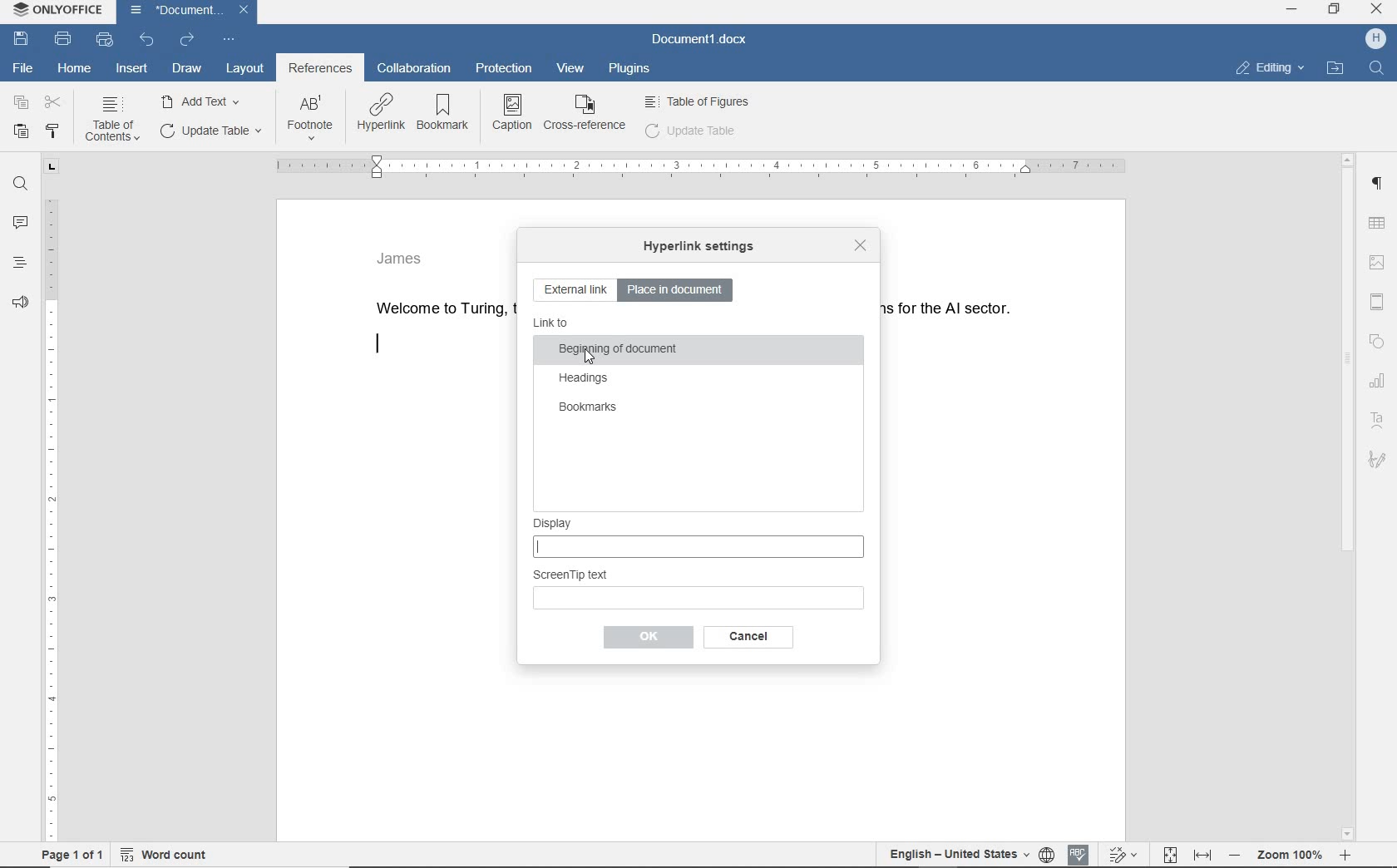  What do you see at coordinates (20, 38) in the screenshot?
I see `save` at bounding box center [20, 38].